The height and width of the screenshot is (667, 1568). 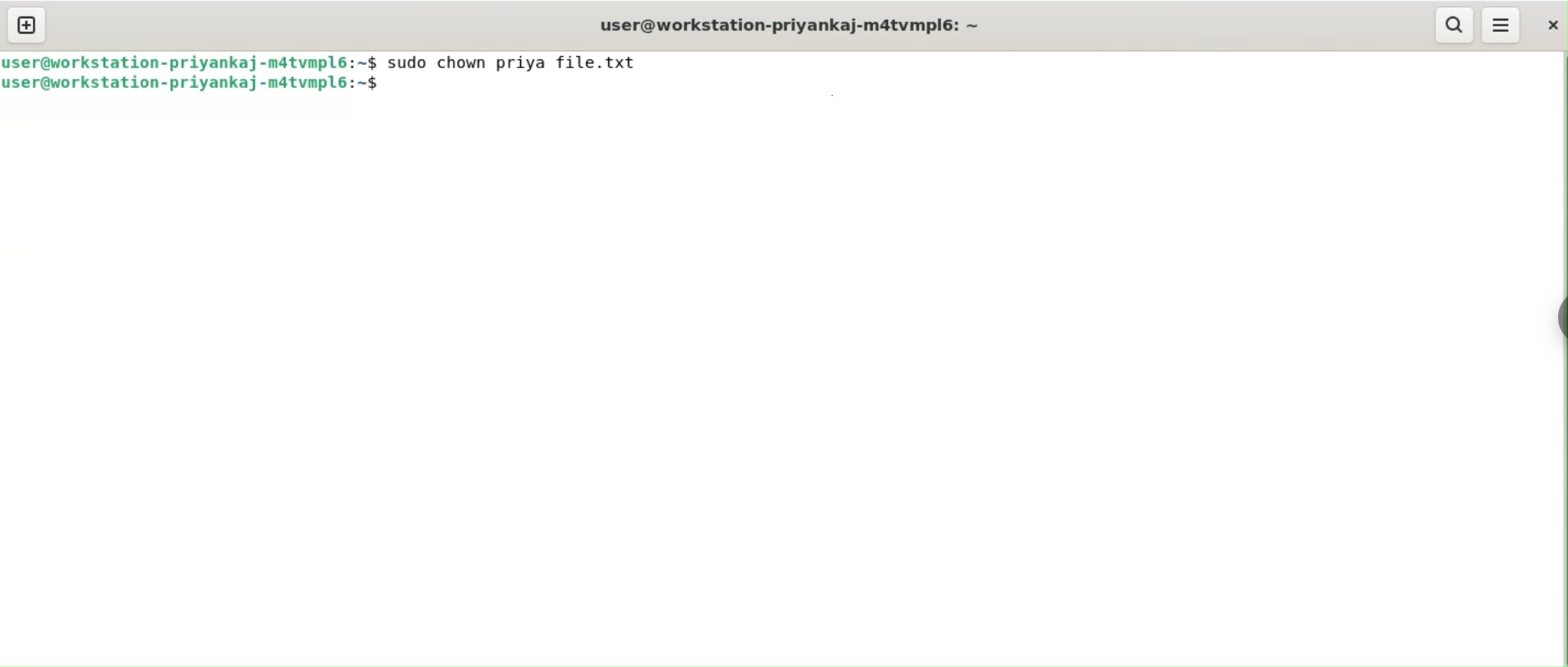 What do you see at coordinates (1455, 25) in the screenshot?
I see `search` at bounding box center [1455, 25].